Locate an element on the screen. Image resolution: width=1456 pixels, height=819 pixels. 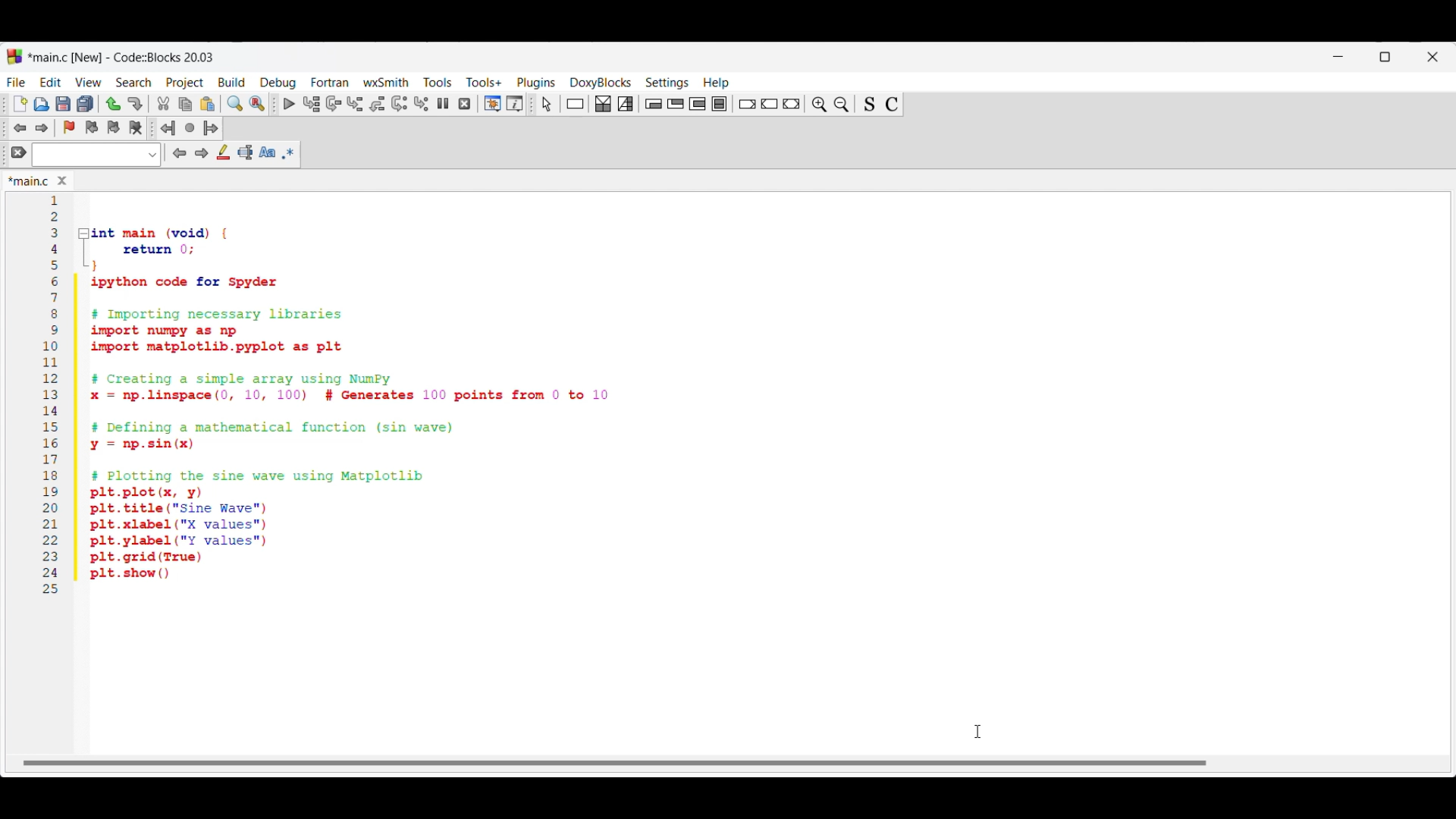
Next line is located at coordinates (334, 104).